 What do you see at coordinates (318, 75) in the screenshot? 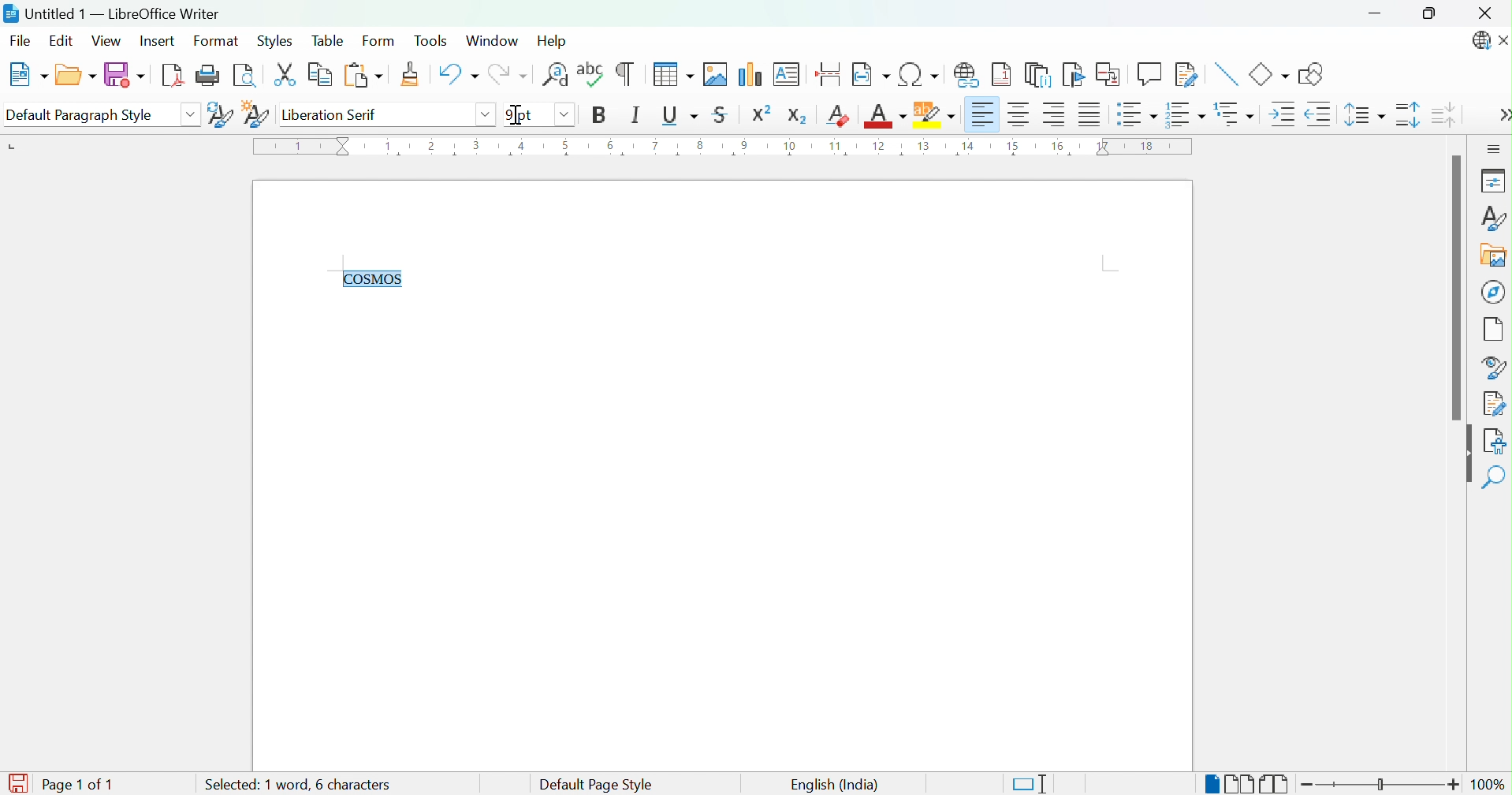
I see `Copy` at bounding box center [318, 75].